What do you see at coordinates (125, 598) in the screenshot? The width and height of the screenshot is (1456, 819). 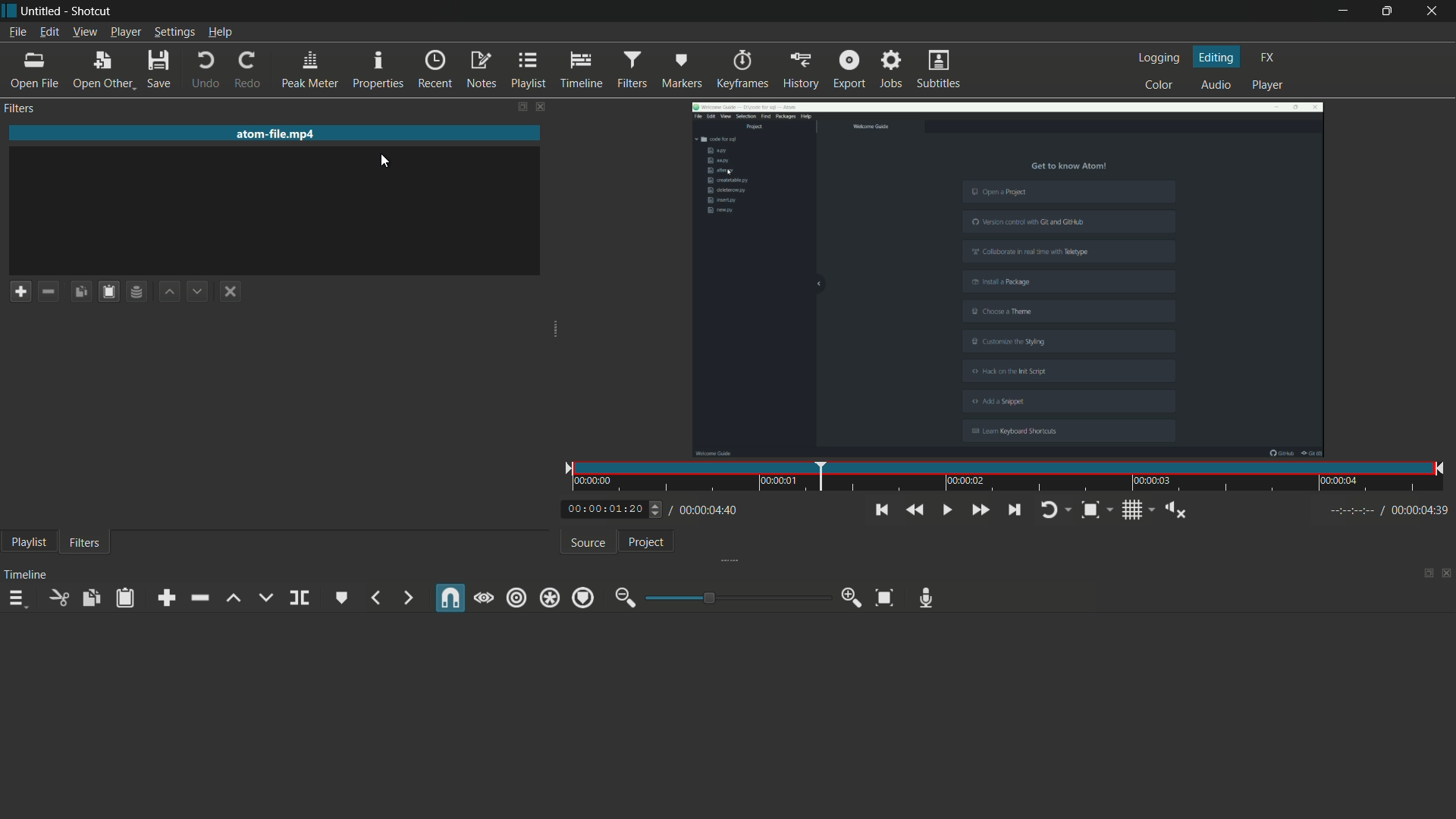 I see `paste filters` at bounding box center [125, 598].